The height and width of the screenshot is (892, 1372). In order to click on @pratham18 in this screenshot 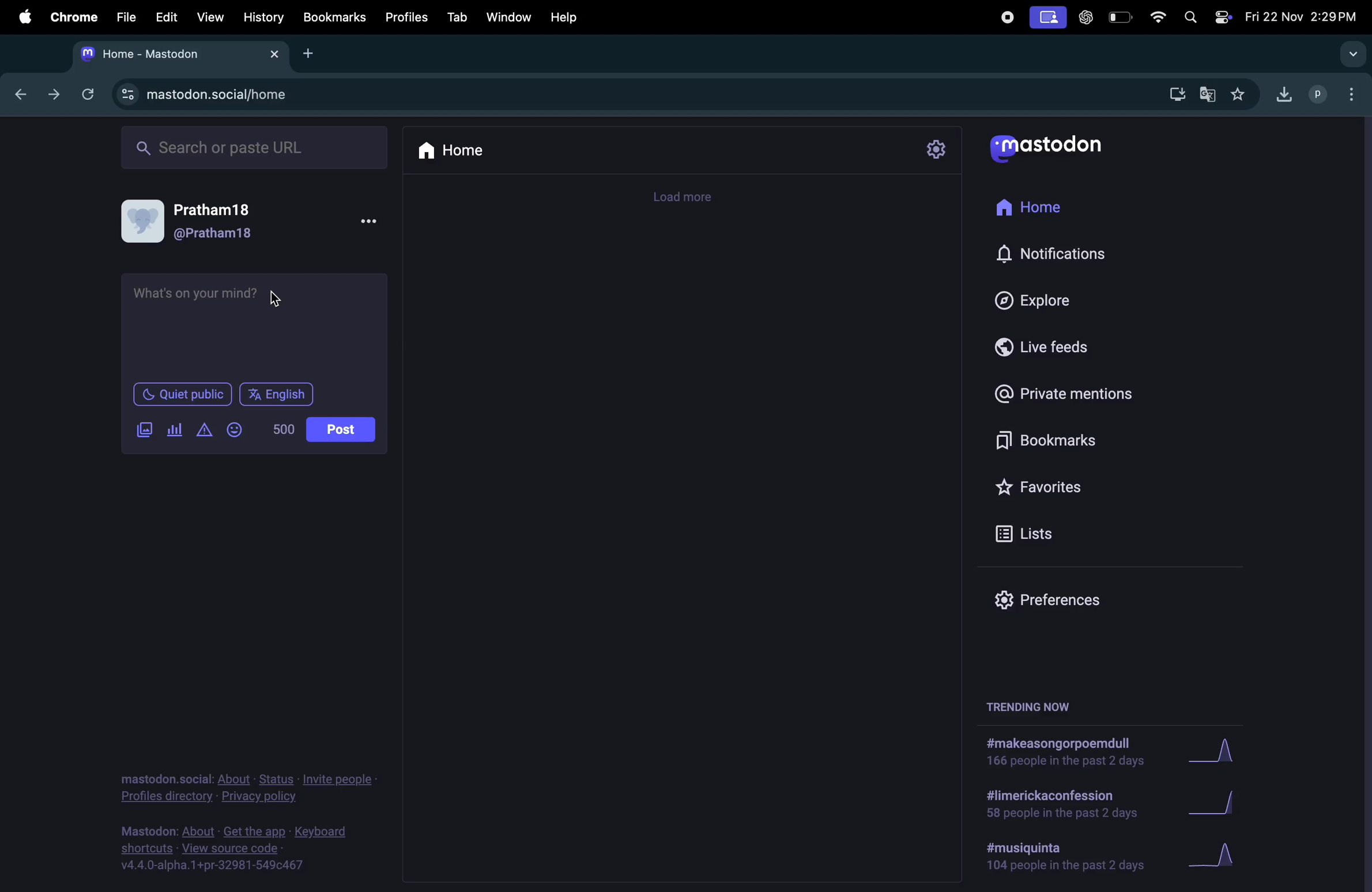, I will do `click(220, 235)`.